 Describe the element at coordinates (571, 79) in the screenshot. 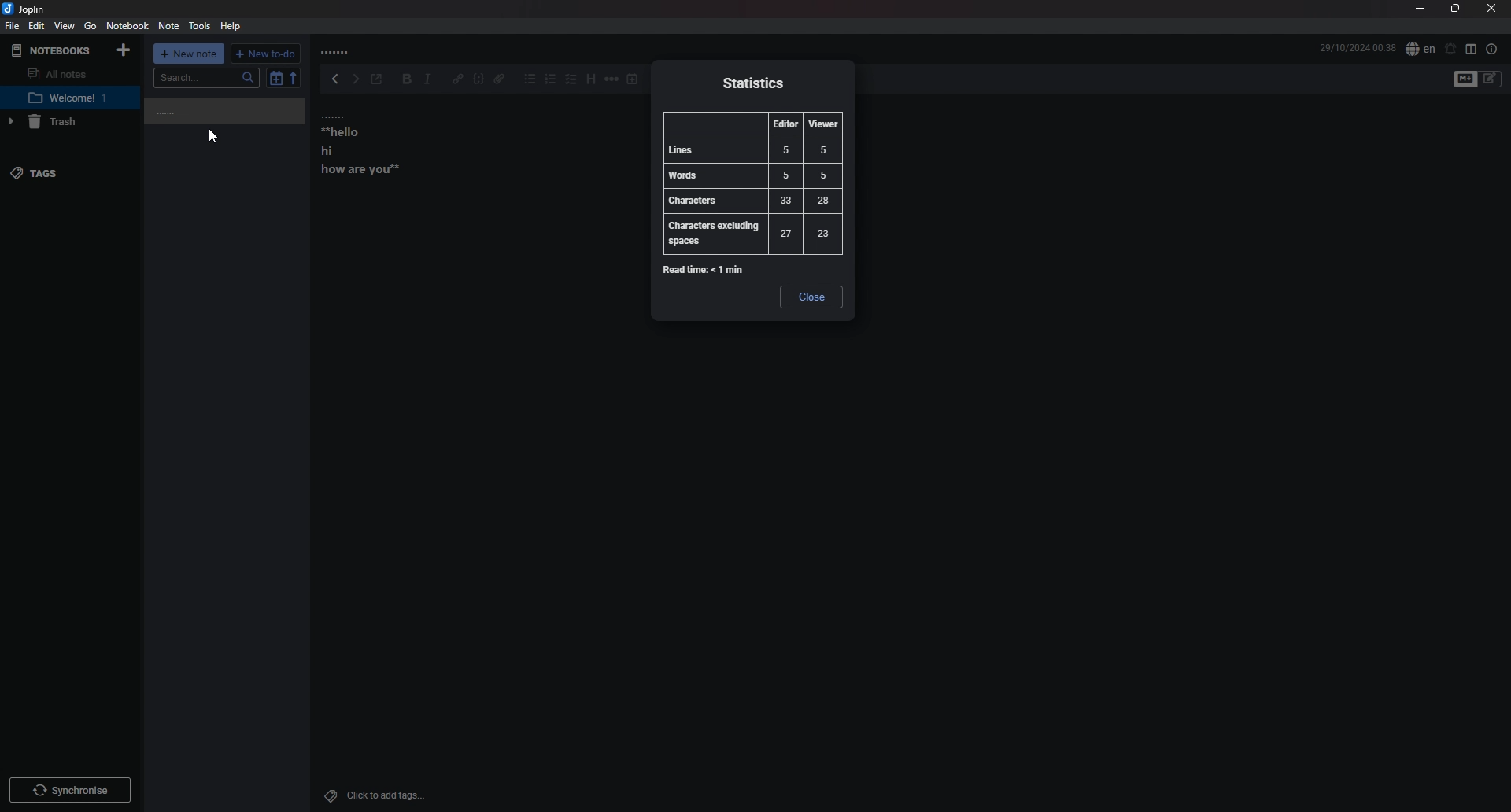

I see `Checkbox` at that location.